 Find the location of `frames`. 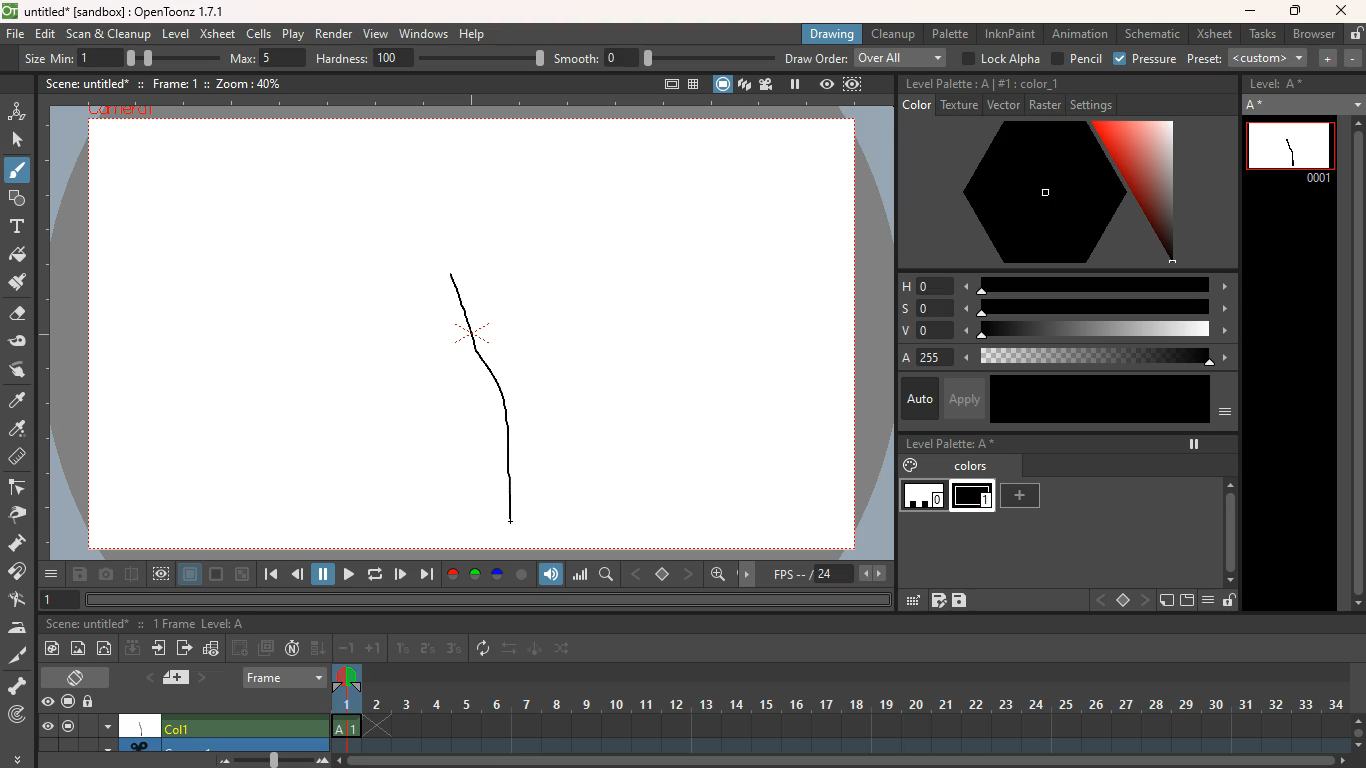

frames is located at coordinates (855, 707).